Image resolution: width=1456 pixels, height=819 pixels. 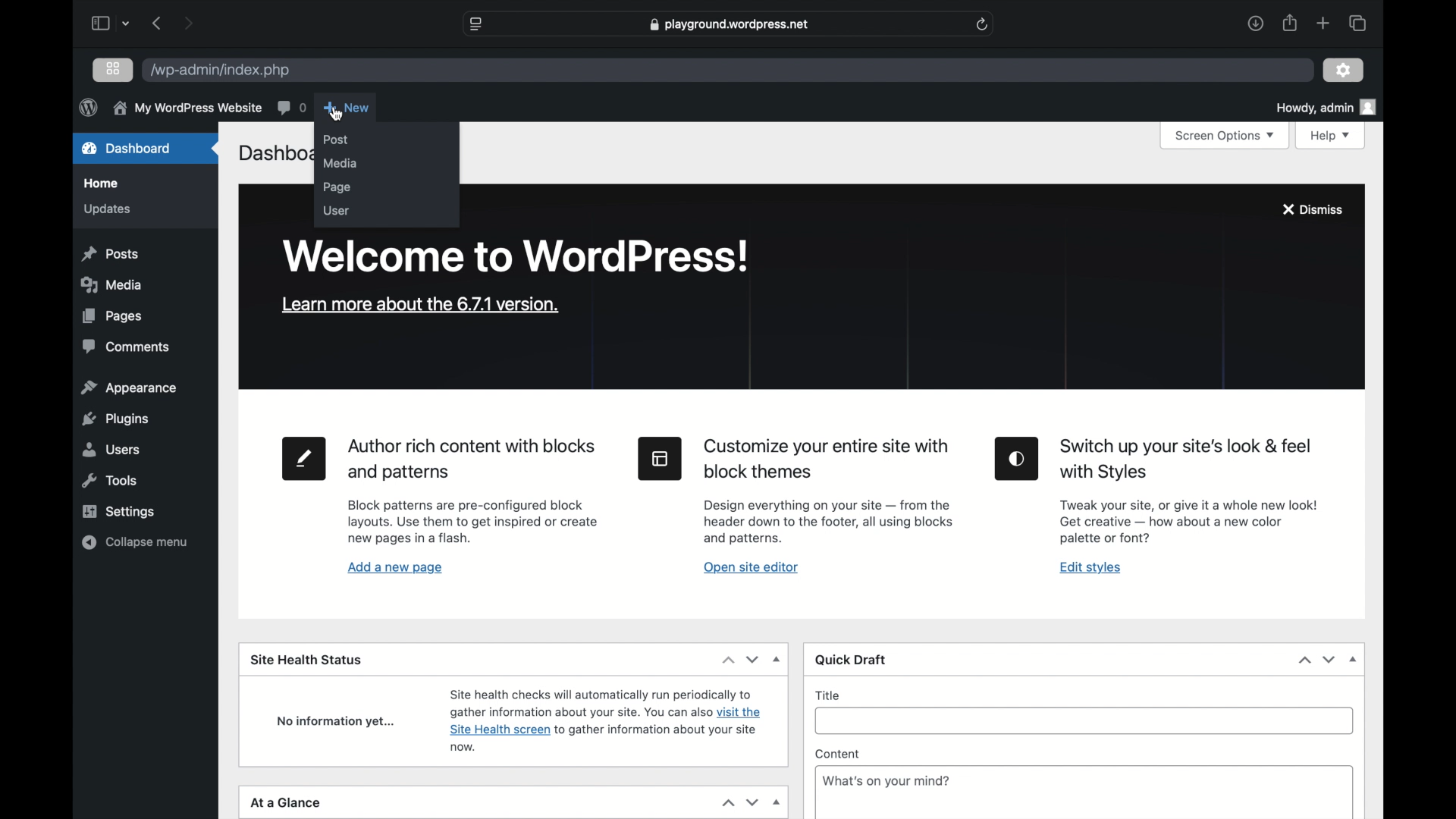 I want to click on media, so click(x=340, y=164).